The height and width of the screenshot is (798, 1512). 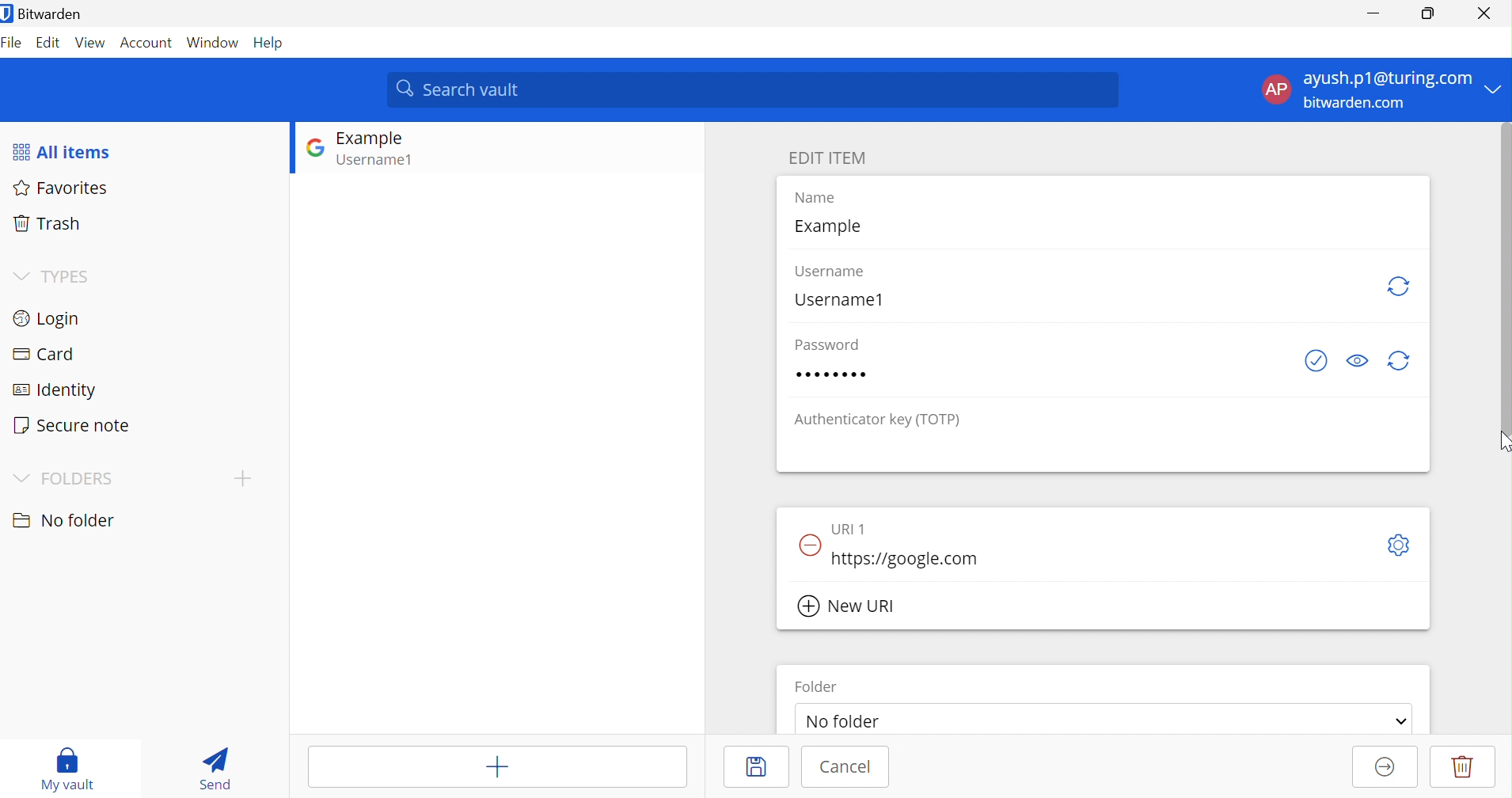 I want to click on Regenerate Password, so click(x=1401, y=359).